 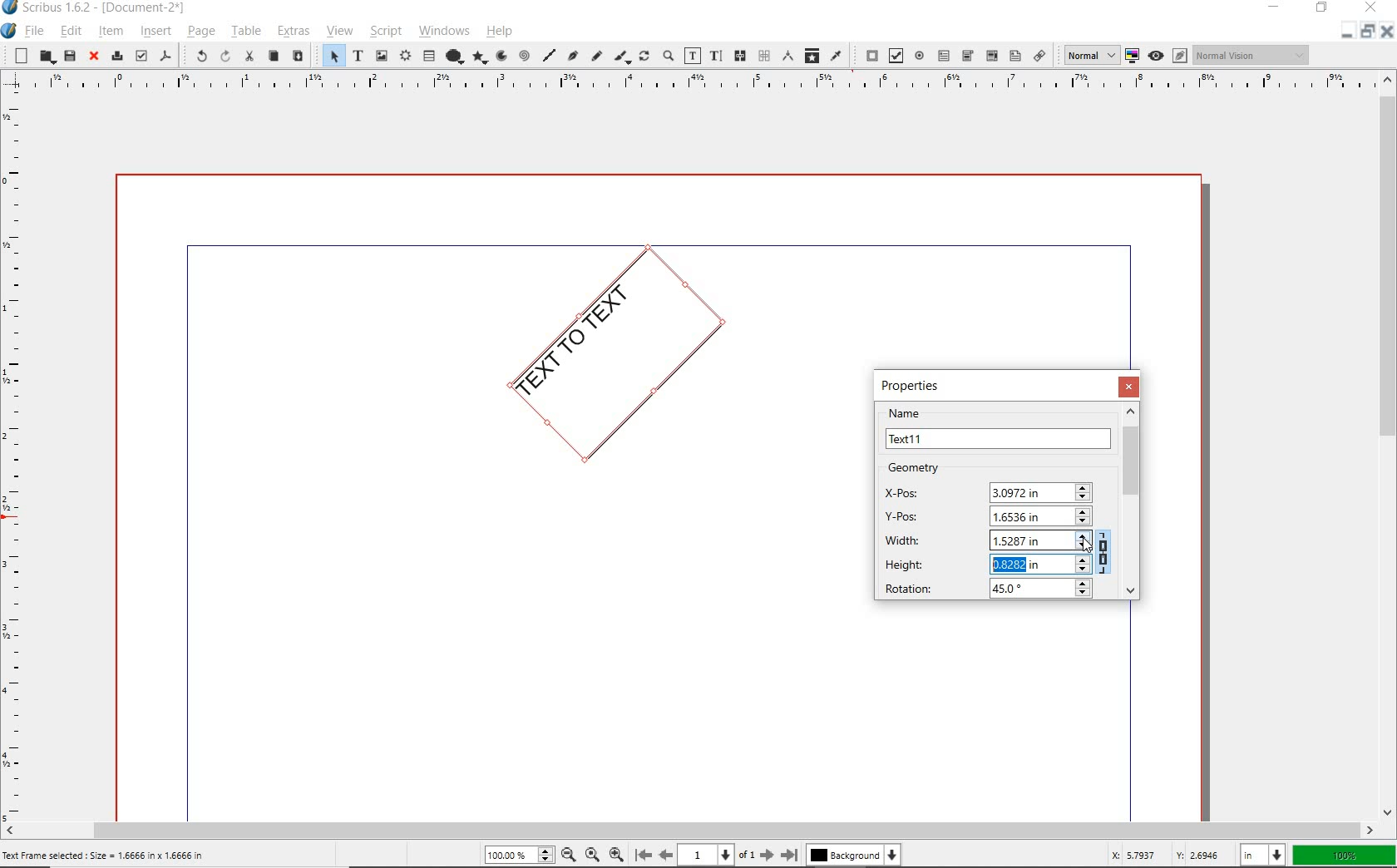 I want to click on edit, so click(x=72, y=31).